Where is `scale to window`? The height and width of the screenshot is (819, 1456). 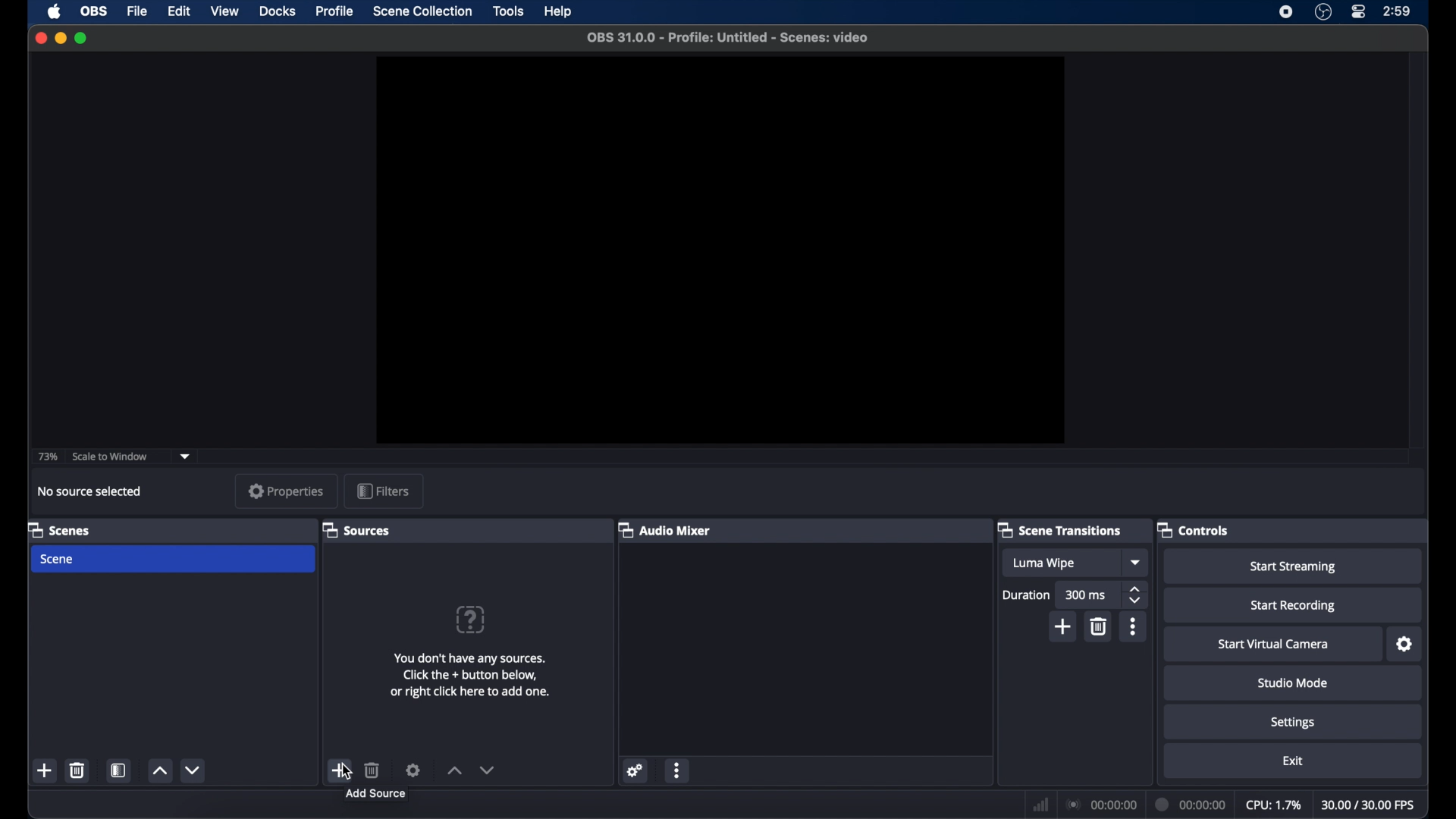
scale to window is located at coordinates (112, 456).